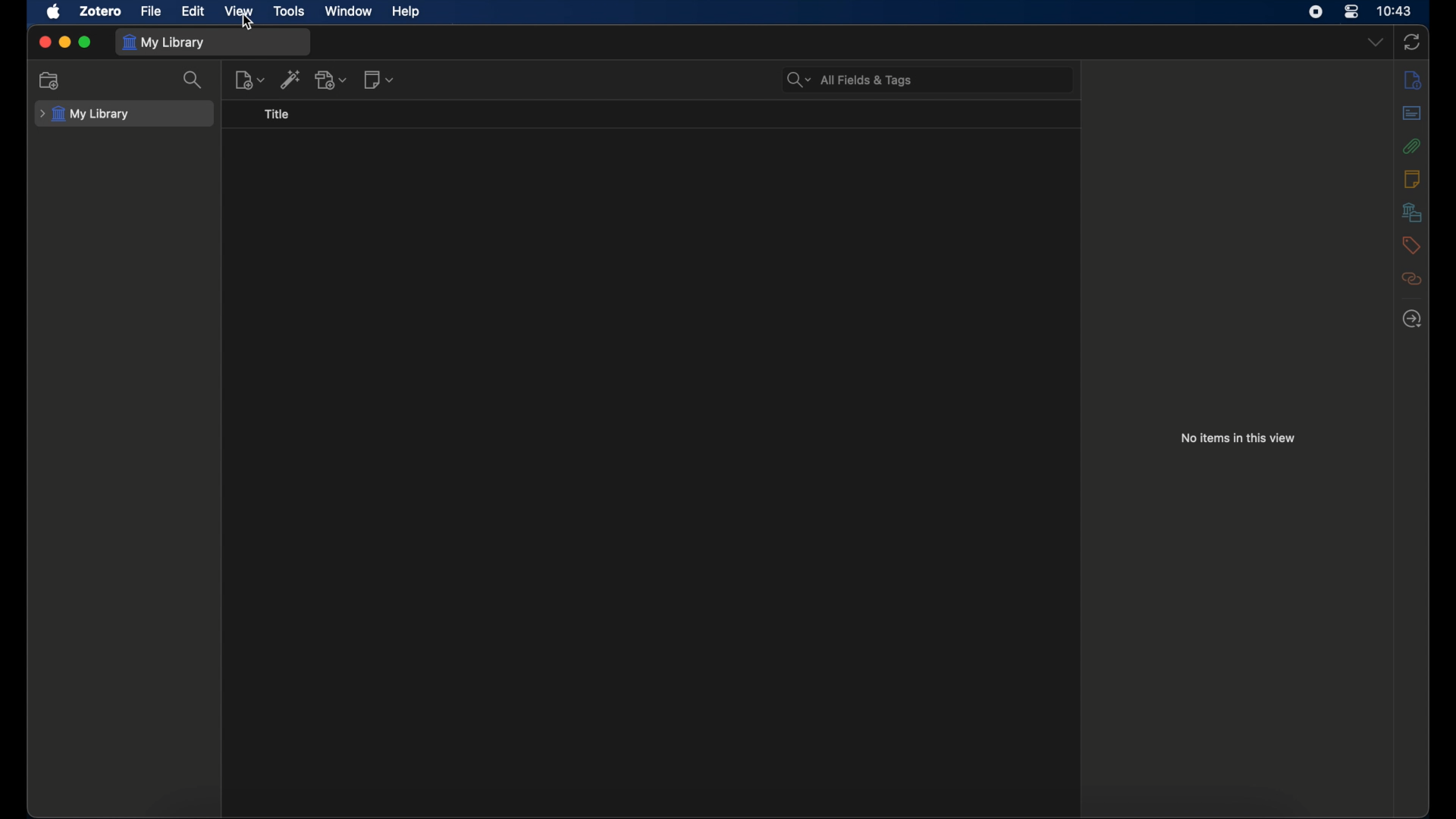 This screenshot has width=1456, height=819. Describe the element at coordinates (195, 12) in the screenshot. I see `edit` at that location.